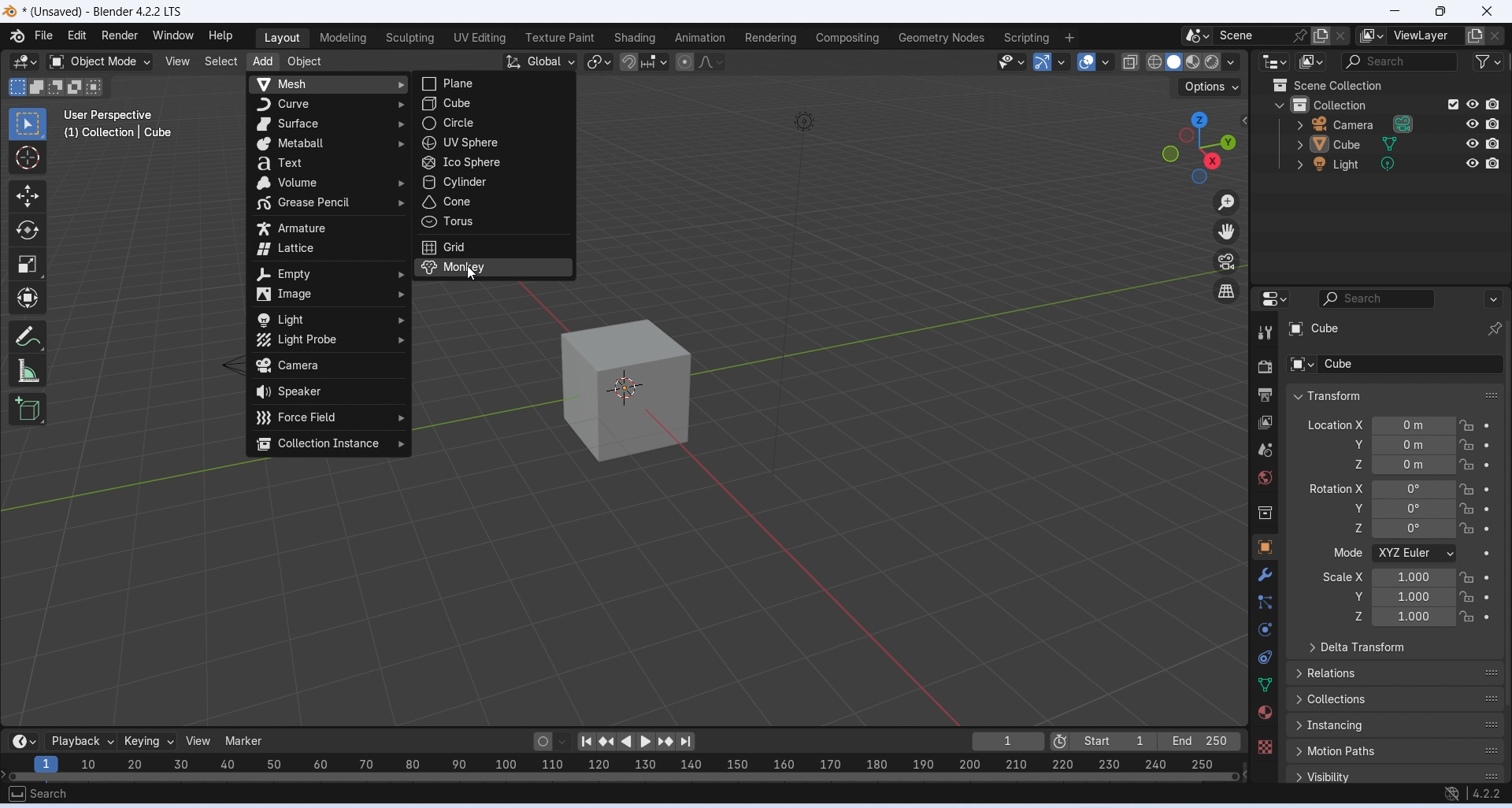  I want to click on camera layer, so click(1371, 124).